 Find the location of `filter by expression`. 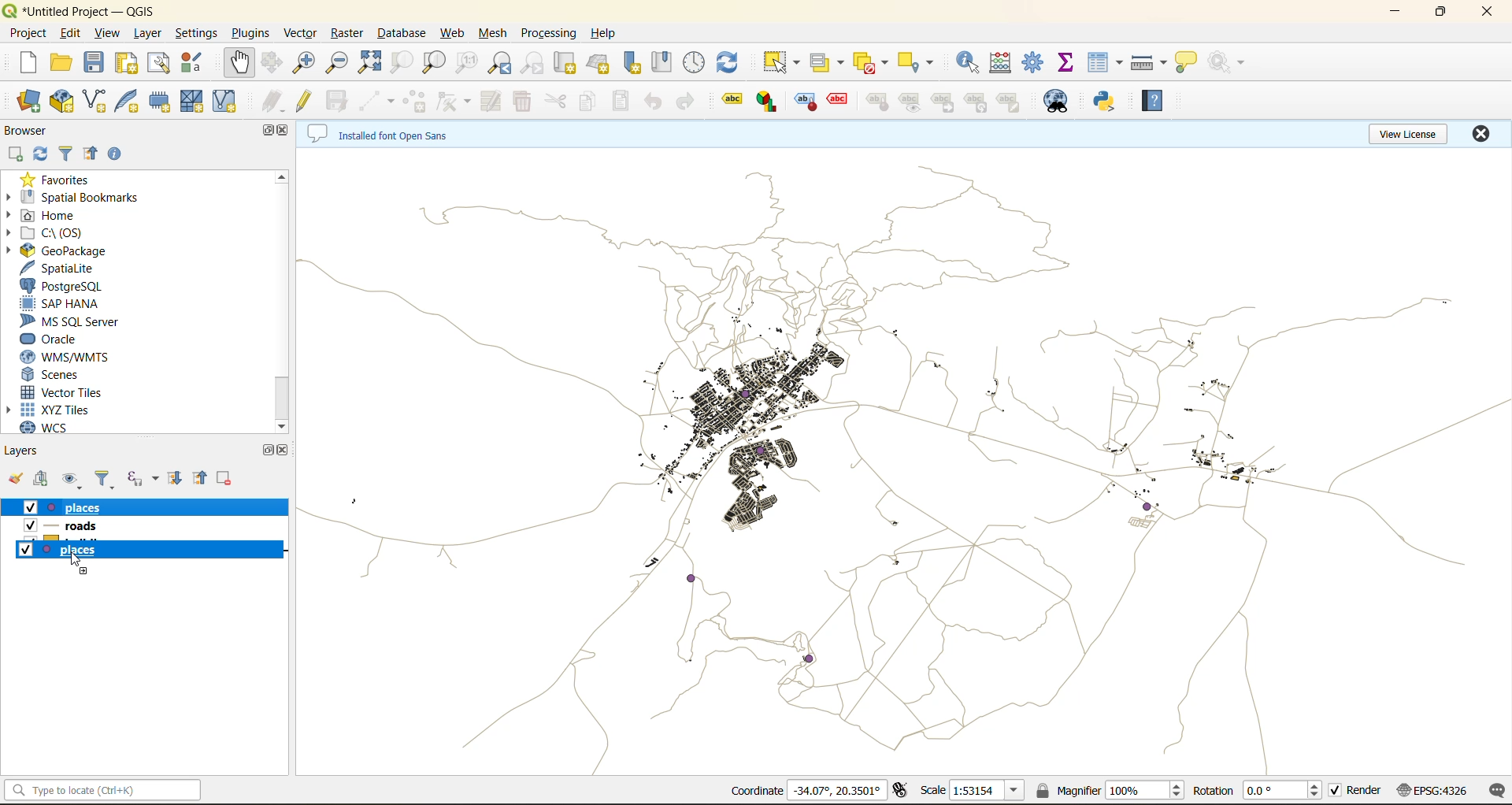

filter by expression is located at coordinates (142, 479).